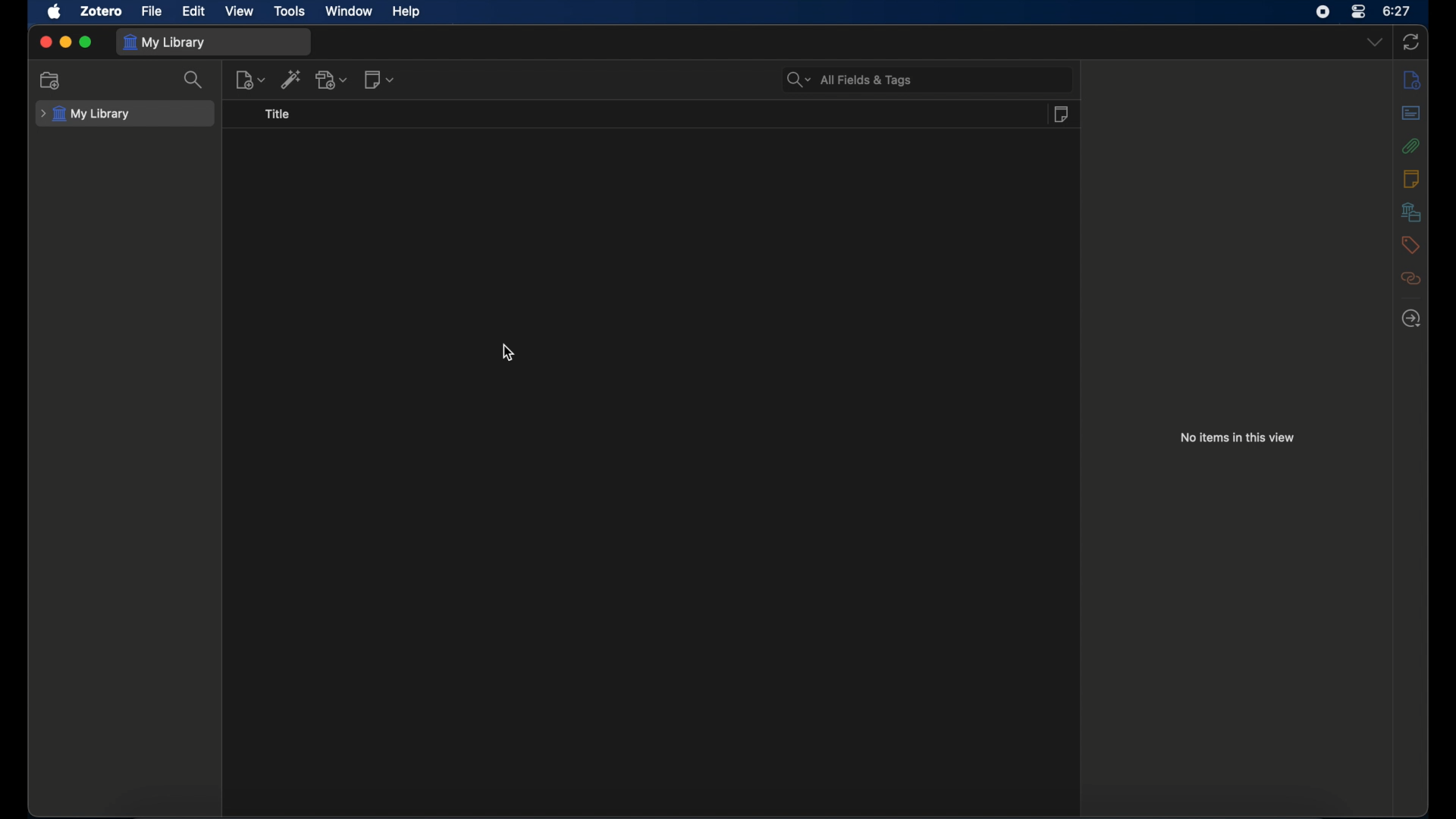  What do you see at coordinates (86, 114) in the screenshot?
I see `my library` at bounding box center [86, 114].